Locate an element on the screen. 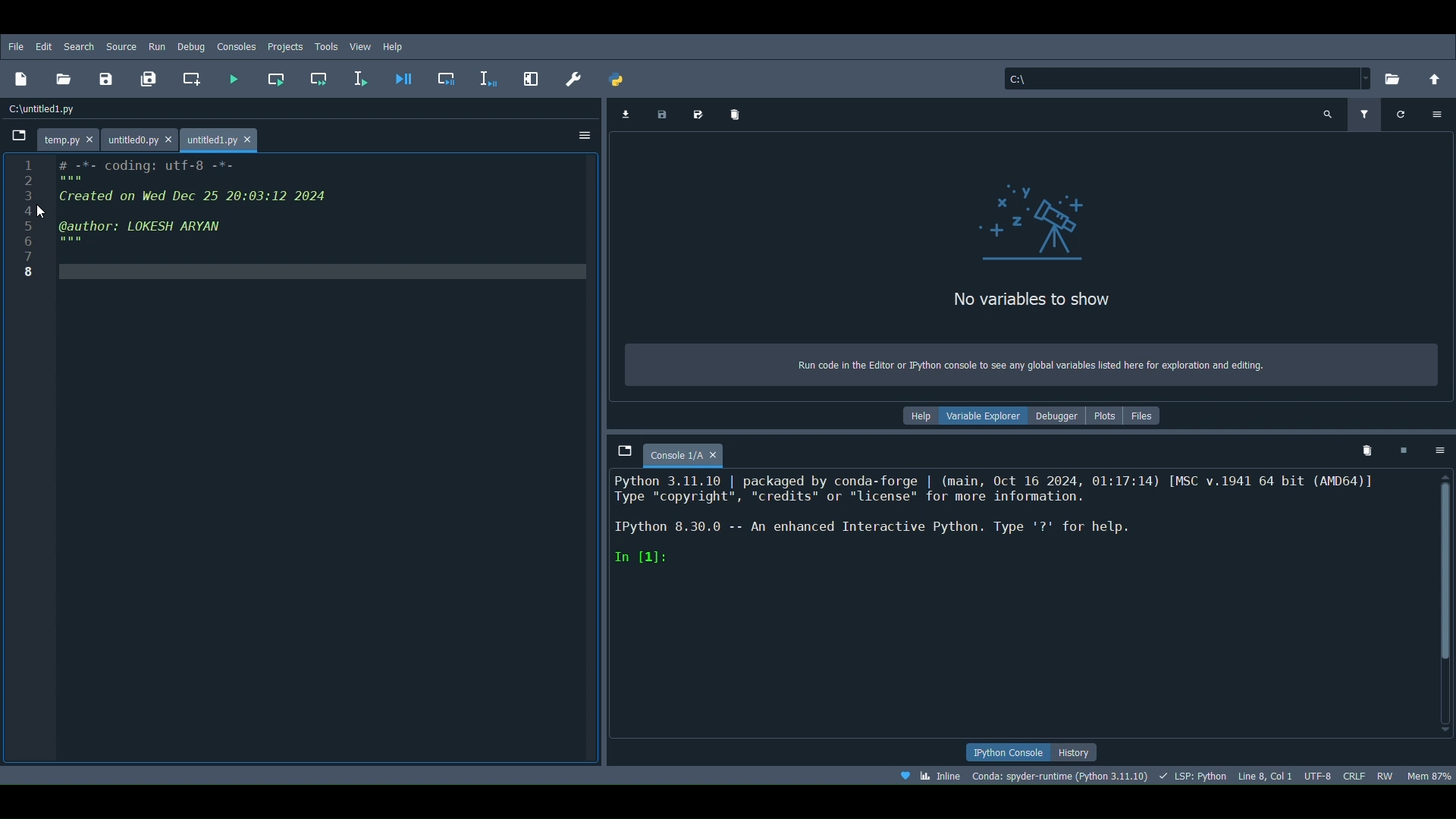 The width and height of the screenshot is (1456, 819). Projects is located at coordinates (286, 47).